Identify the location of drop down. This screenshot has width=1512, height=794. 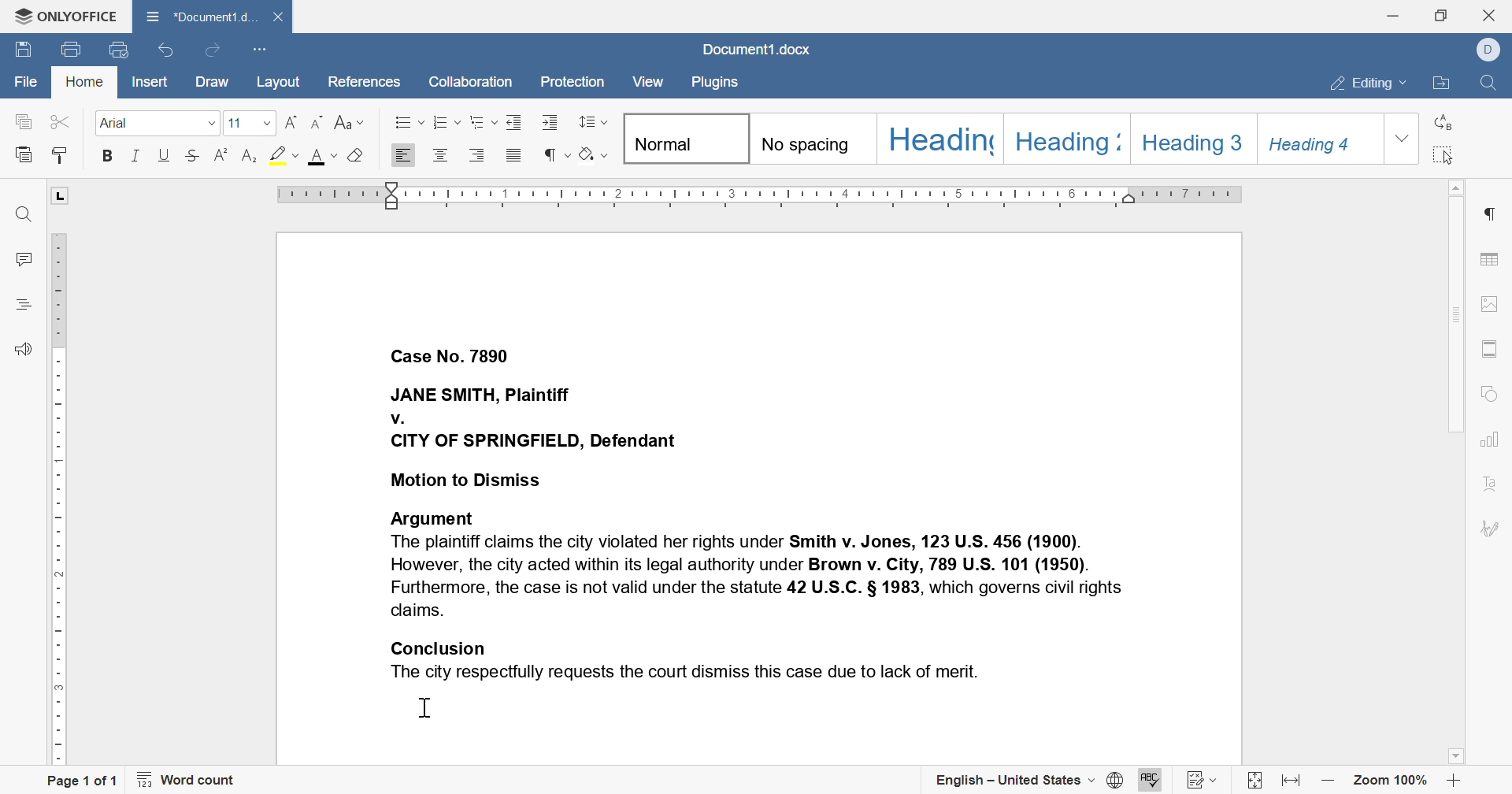
(1403, 138).